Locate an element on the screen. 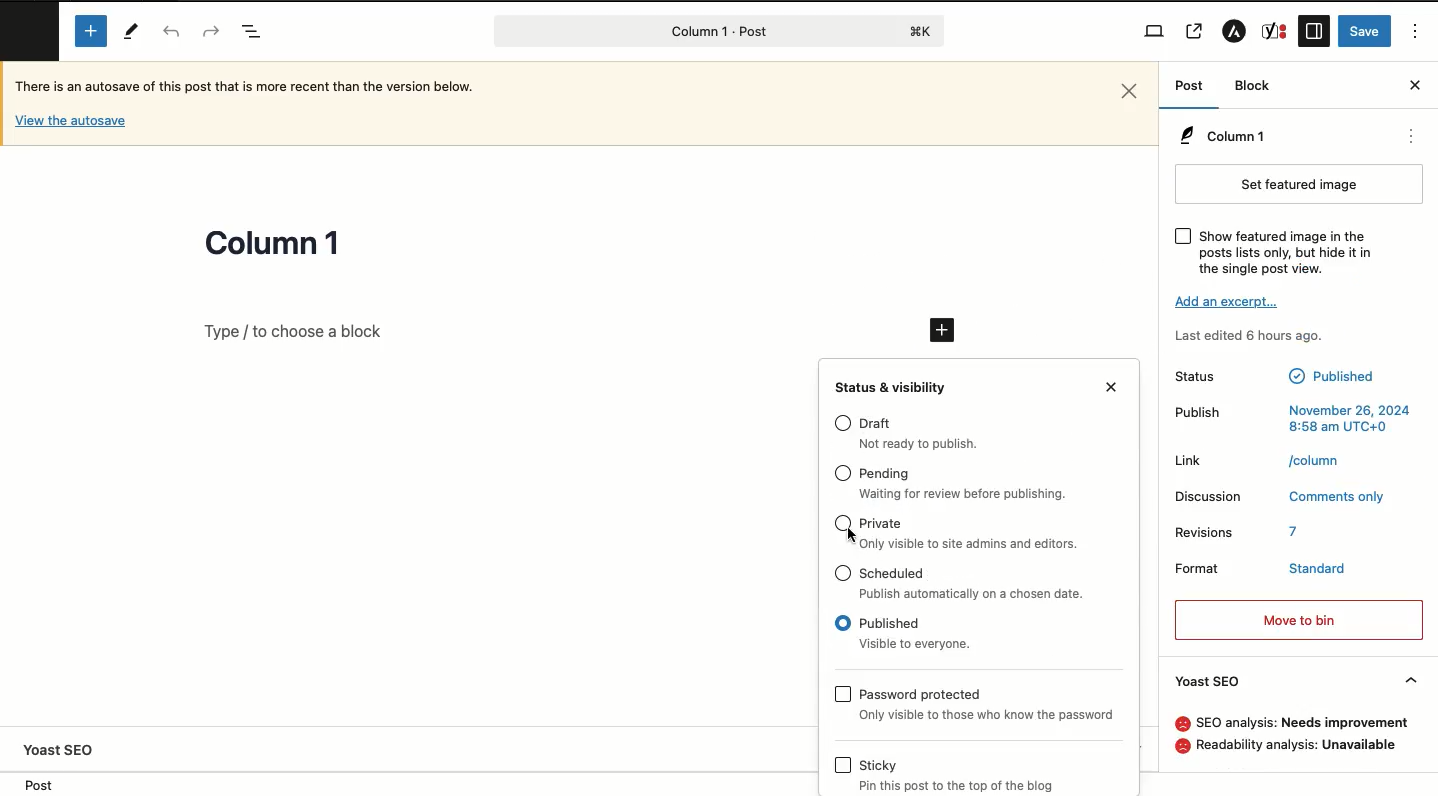 The image size is (1438, 796). Pending is located at coordinates (965, 495).